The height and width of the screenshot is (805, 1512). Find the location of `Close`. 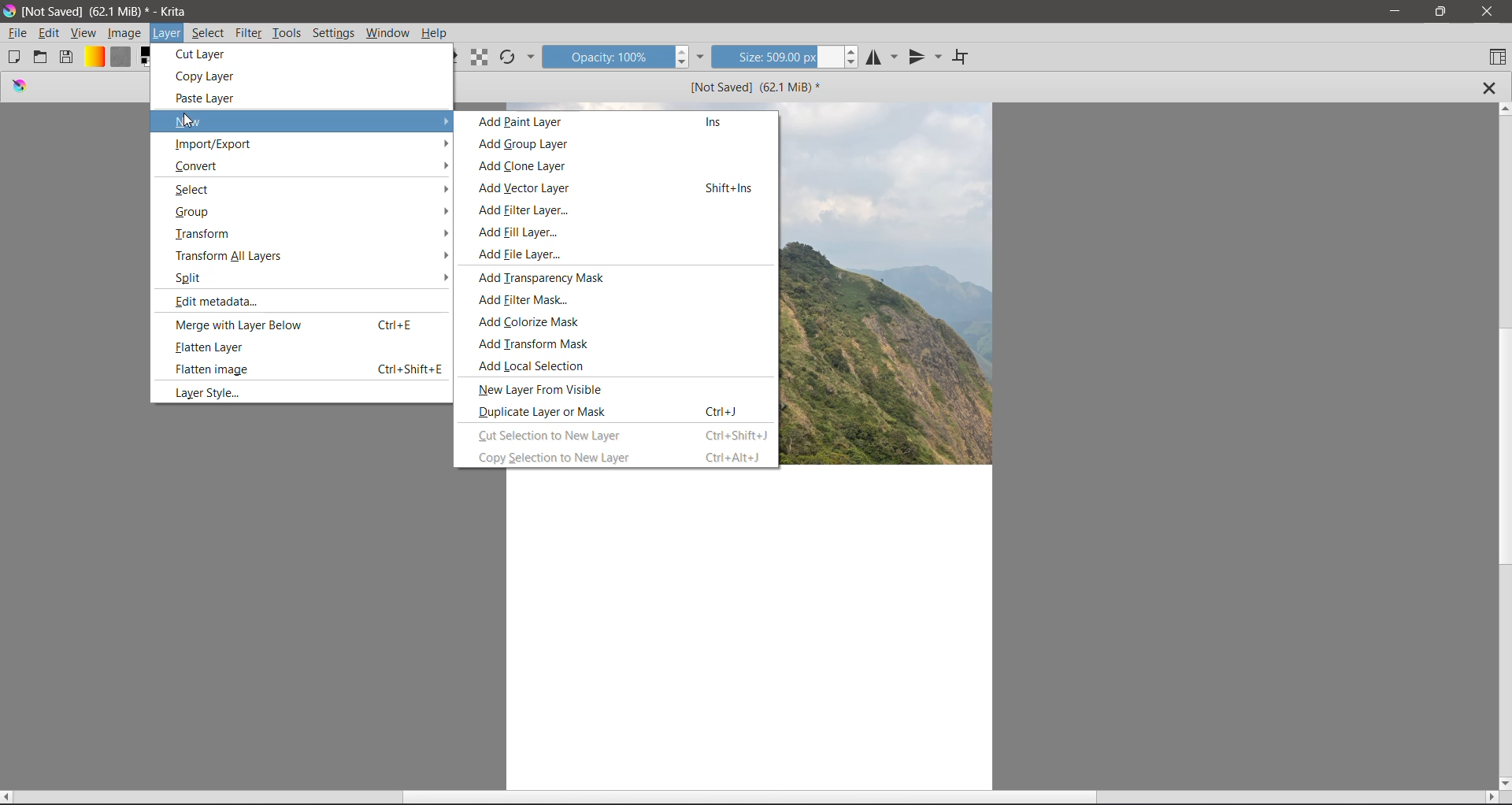

Close is located at coordinates (1489, 12).